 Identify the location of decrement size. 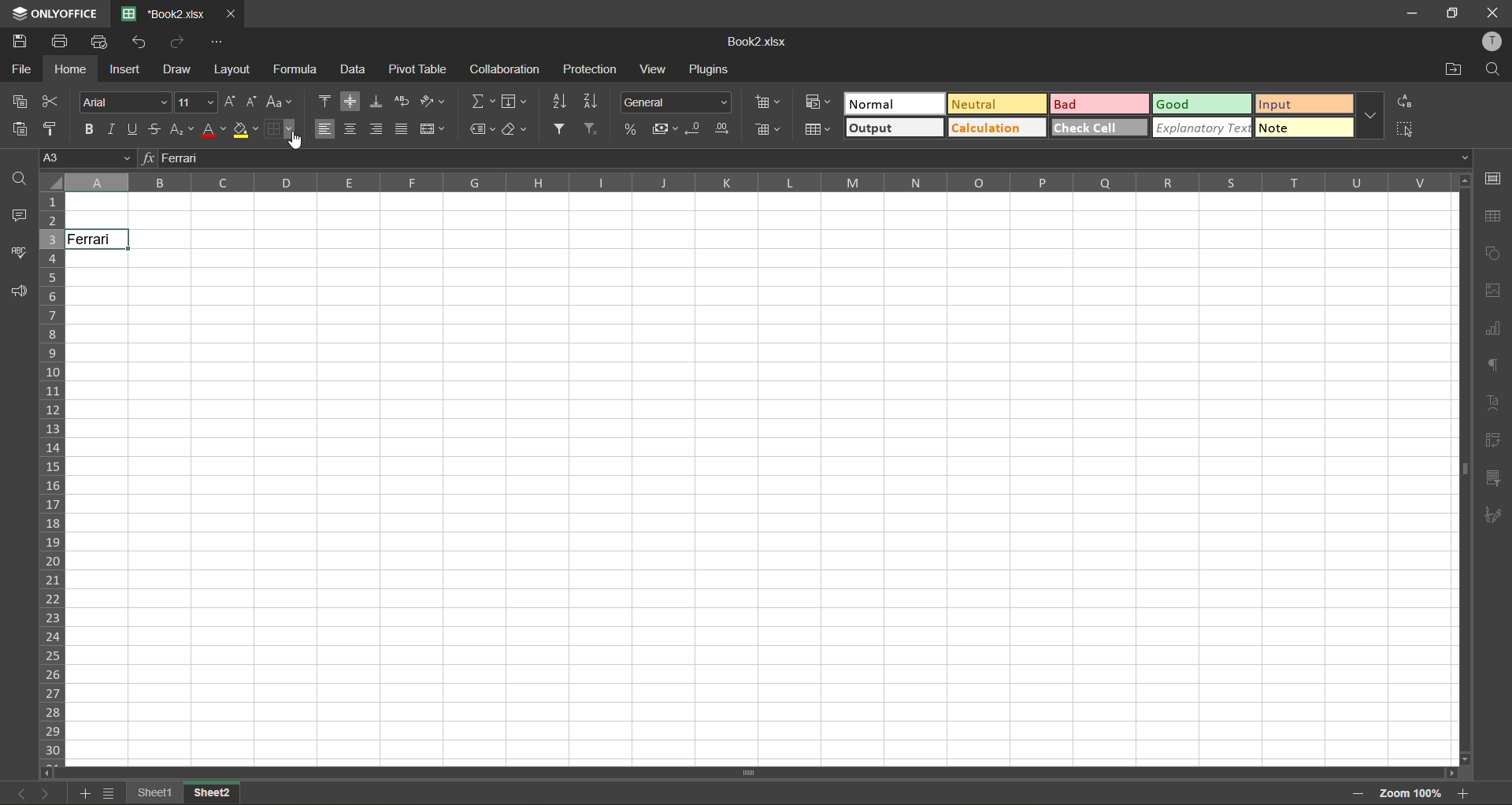
(254, 101).